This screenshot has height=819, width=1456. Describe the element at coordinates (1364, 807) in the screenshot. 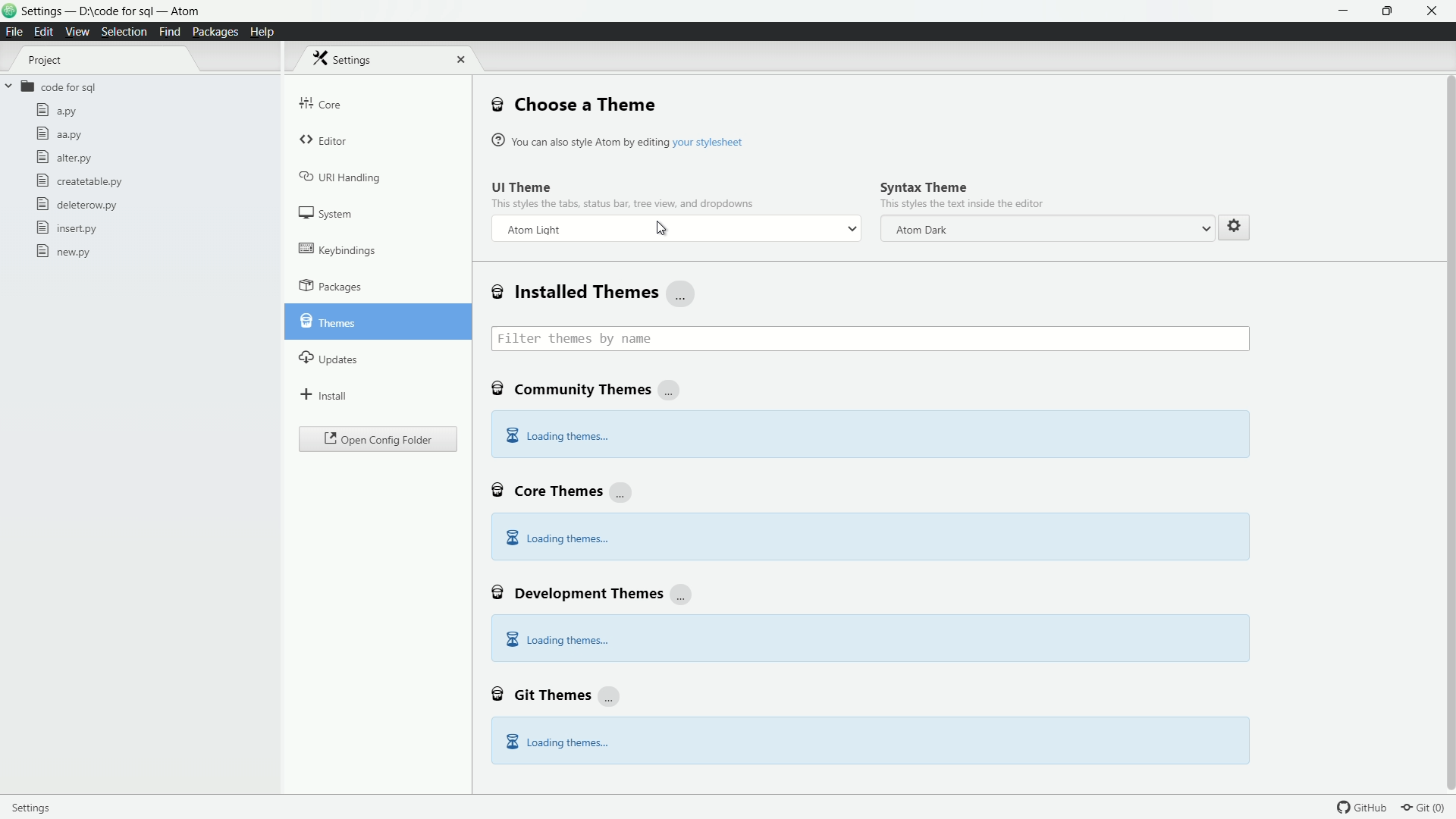

I see `github` at that location.